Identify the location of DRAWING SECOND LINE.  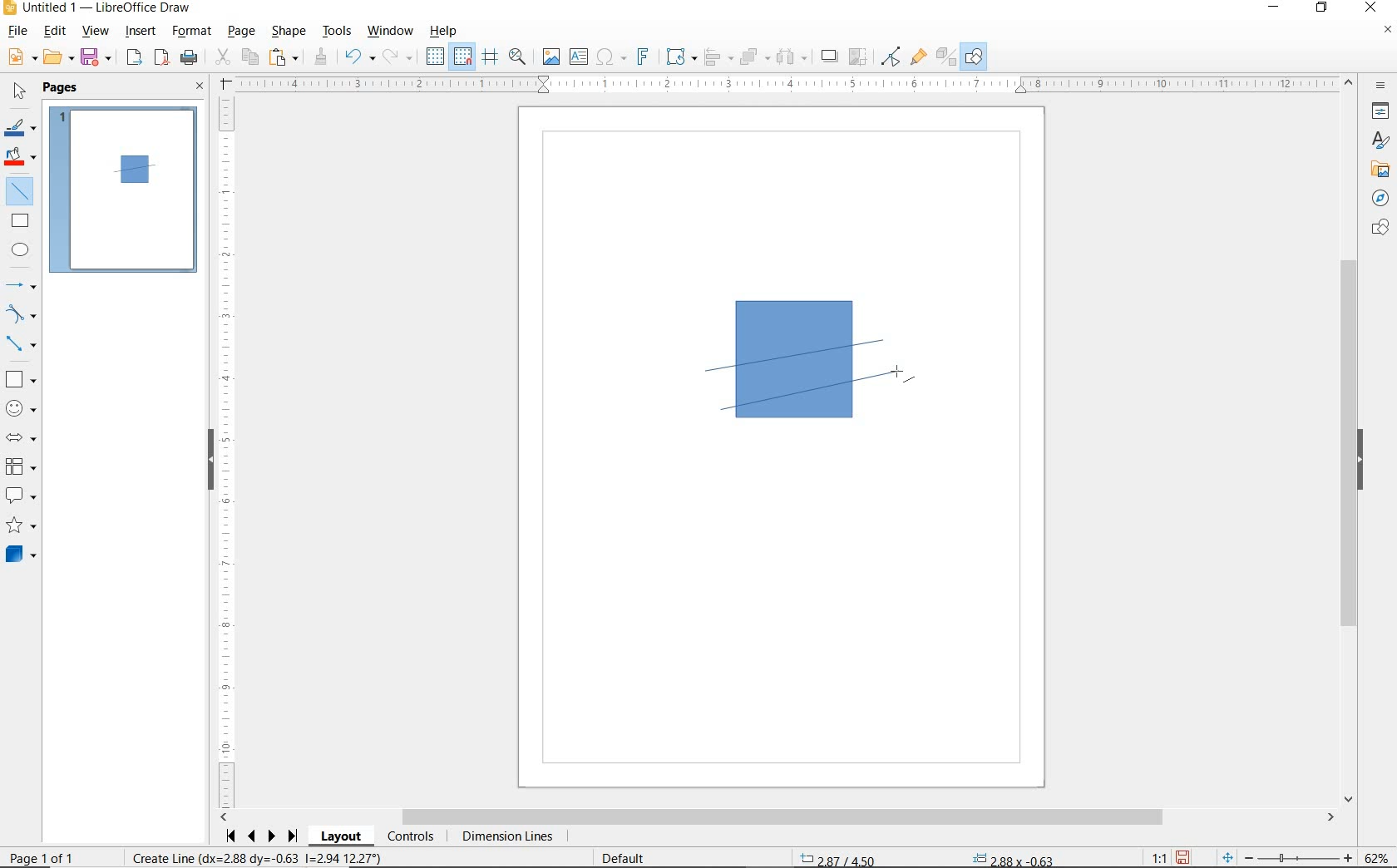
(813, 389).